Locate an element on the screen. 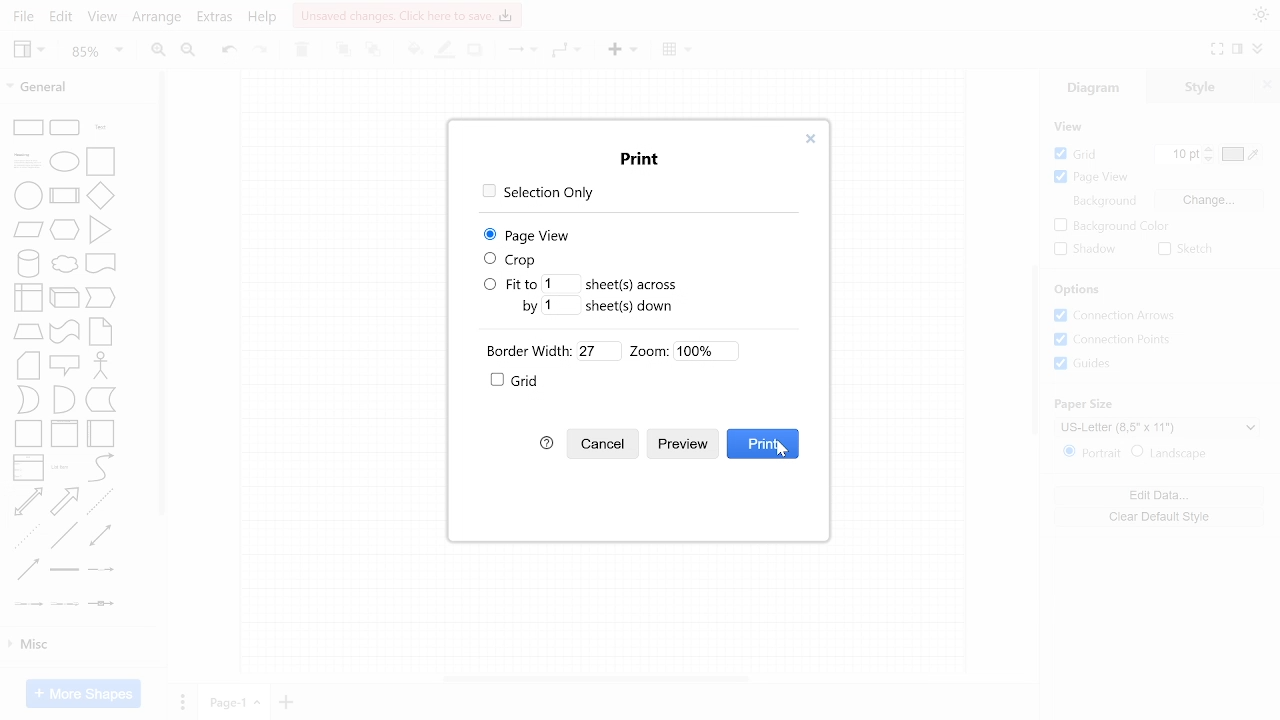 Image resolution: width=1280 pixels, height=720 pixels. Close is located at coordinates (1267, 86).